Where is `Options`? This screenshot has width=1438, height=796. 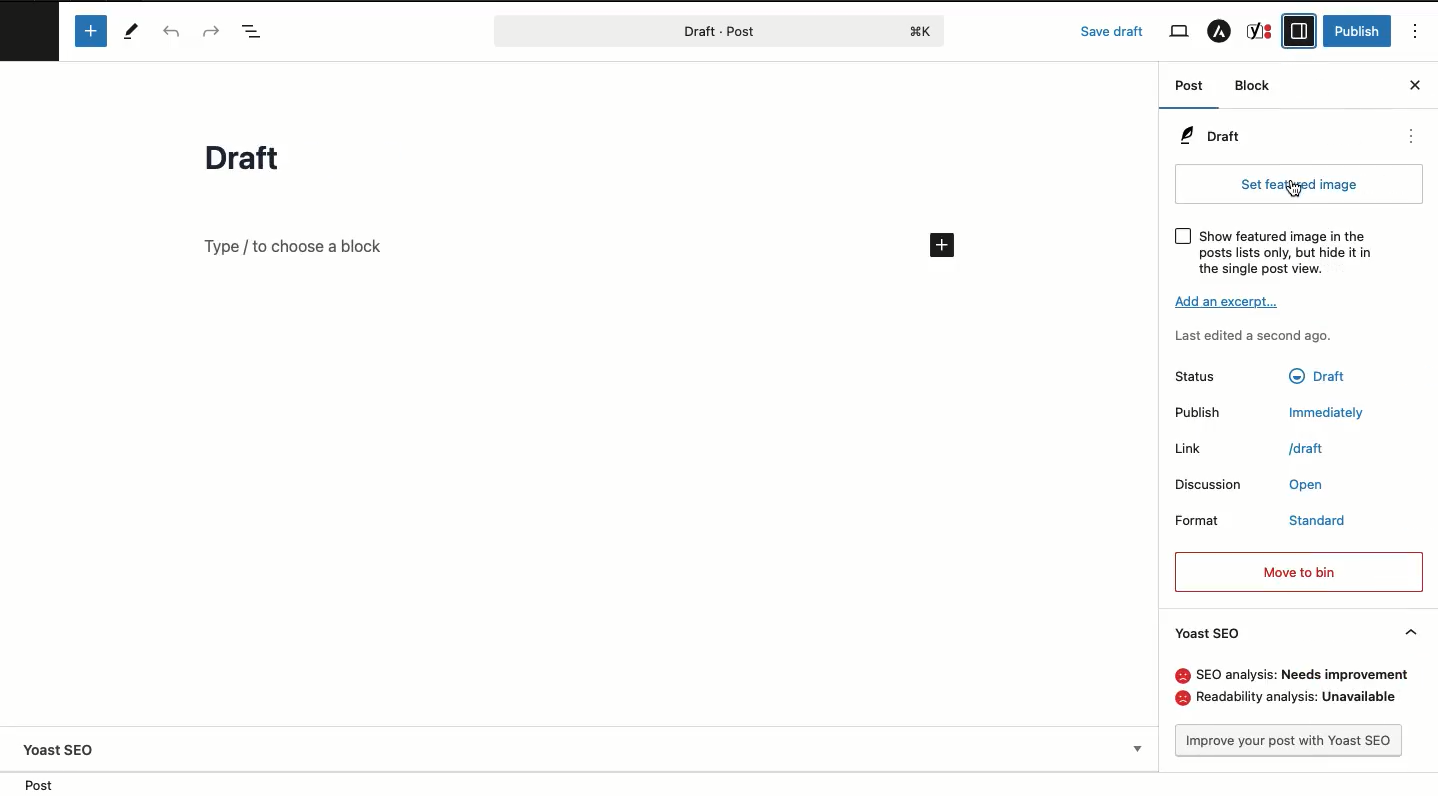
Options is located at coordinates (1415, 33).